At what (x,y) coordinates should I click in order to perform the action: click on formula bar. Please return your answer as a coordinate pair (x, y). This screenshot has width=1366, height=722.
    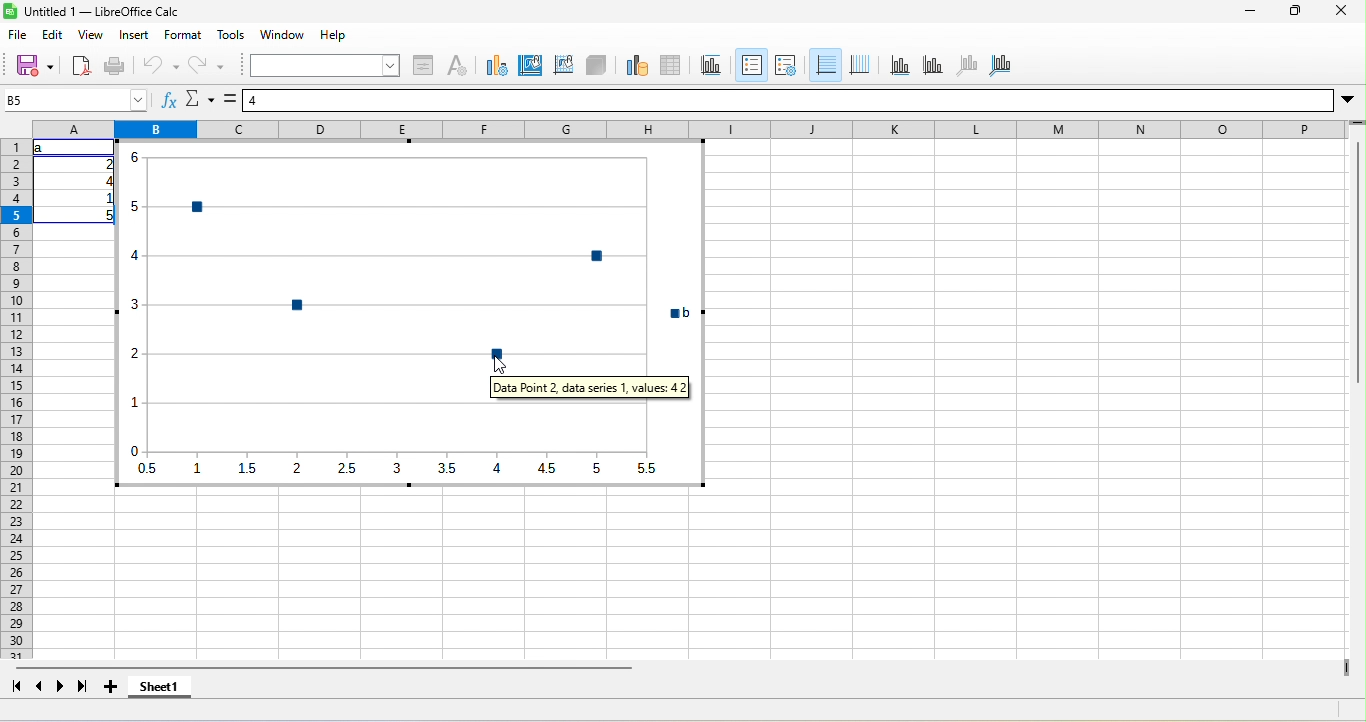
    Looking at the image, I should click on (788, 100).